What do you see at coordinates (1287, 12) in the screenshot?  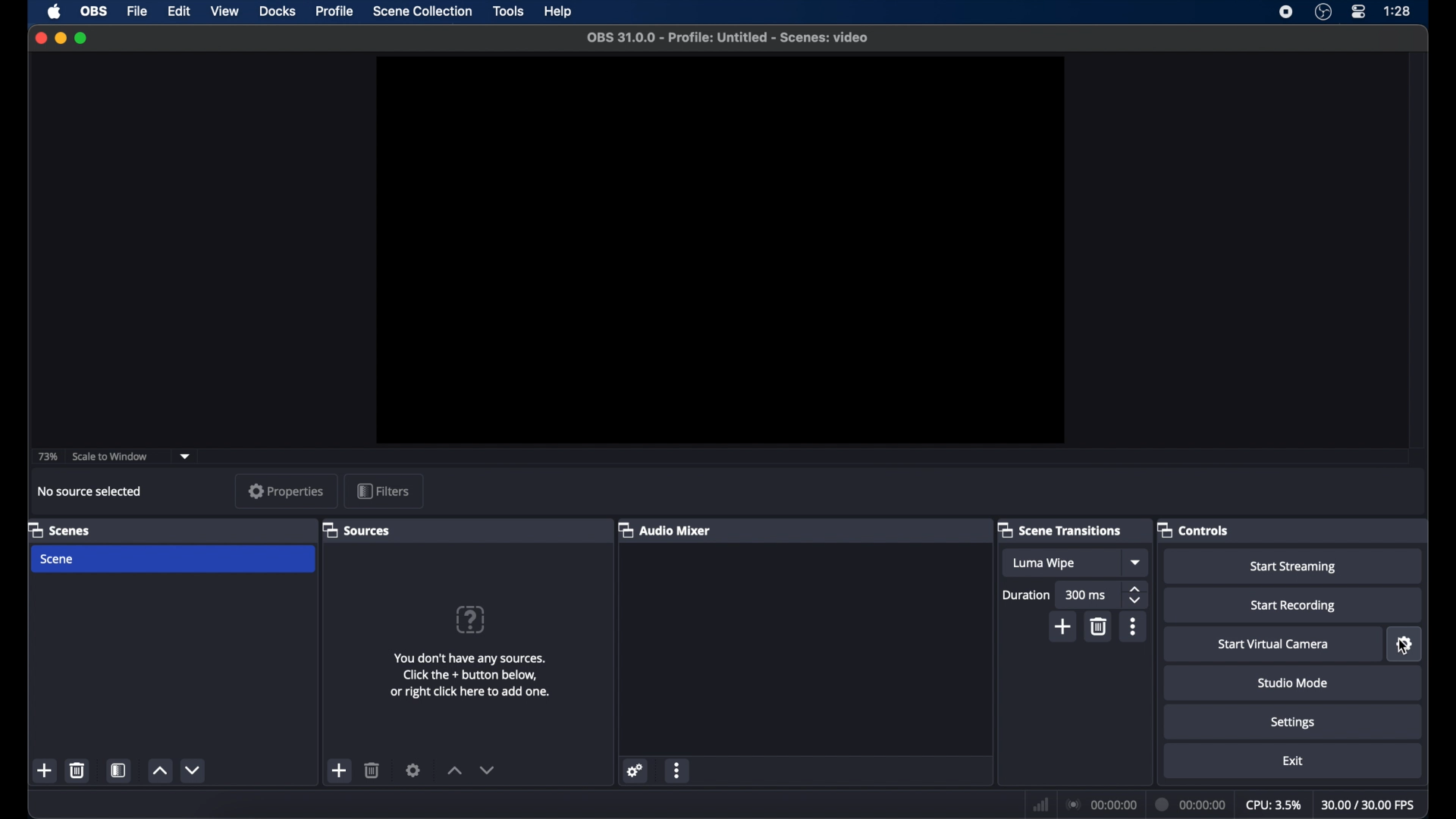 I see `screen recorder icon` at bounding box center [1287, 12].